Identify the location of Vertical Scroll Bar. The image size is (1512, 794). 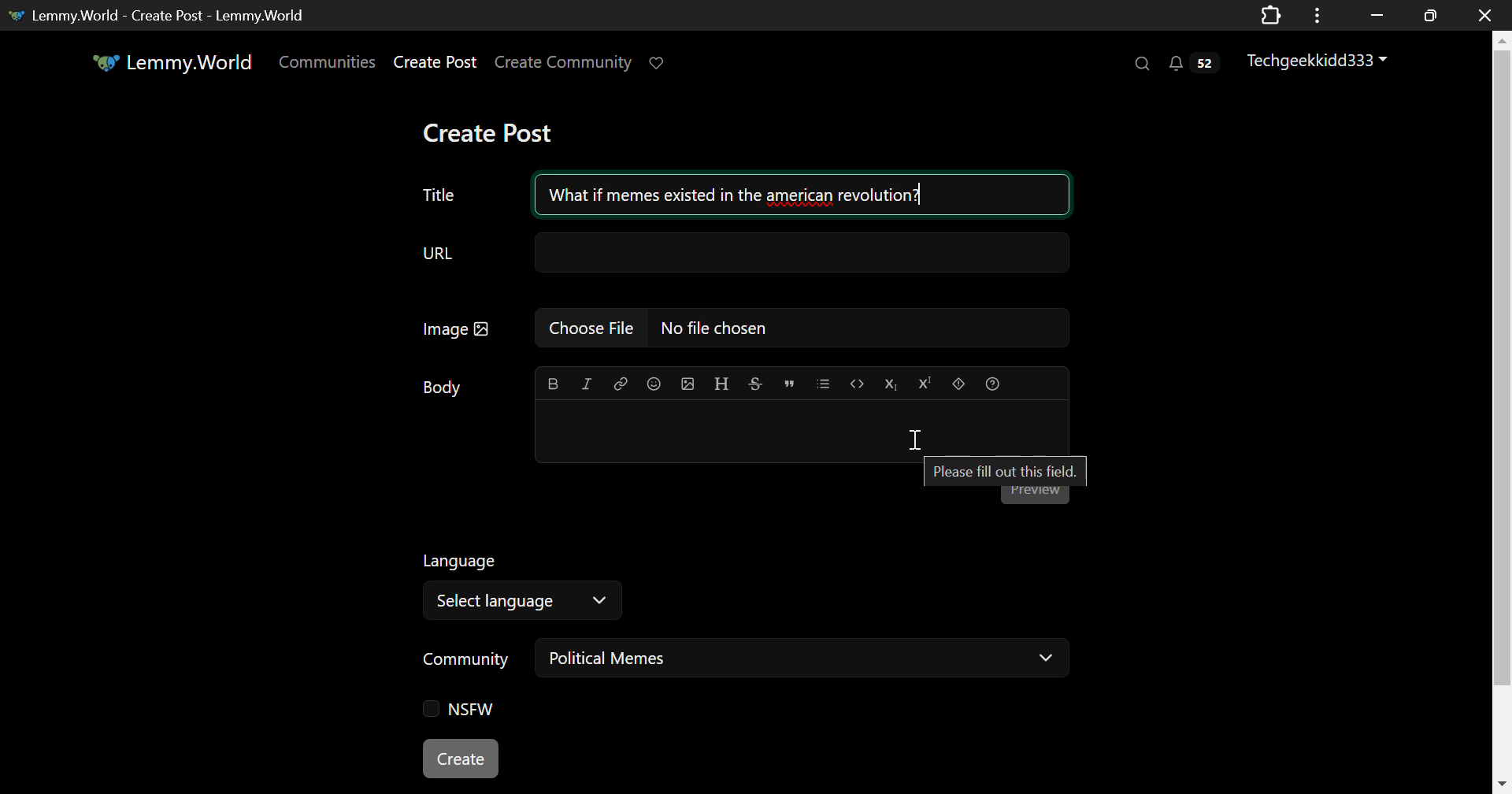
(1501, 415).